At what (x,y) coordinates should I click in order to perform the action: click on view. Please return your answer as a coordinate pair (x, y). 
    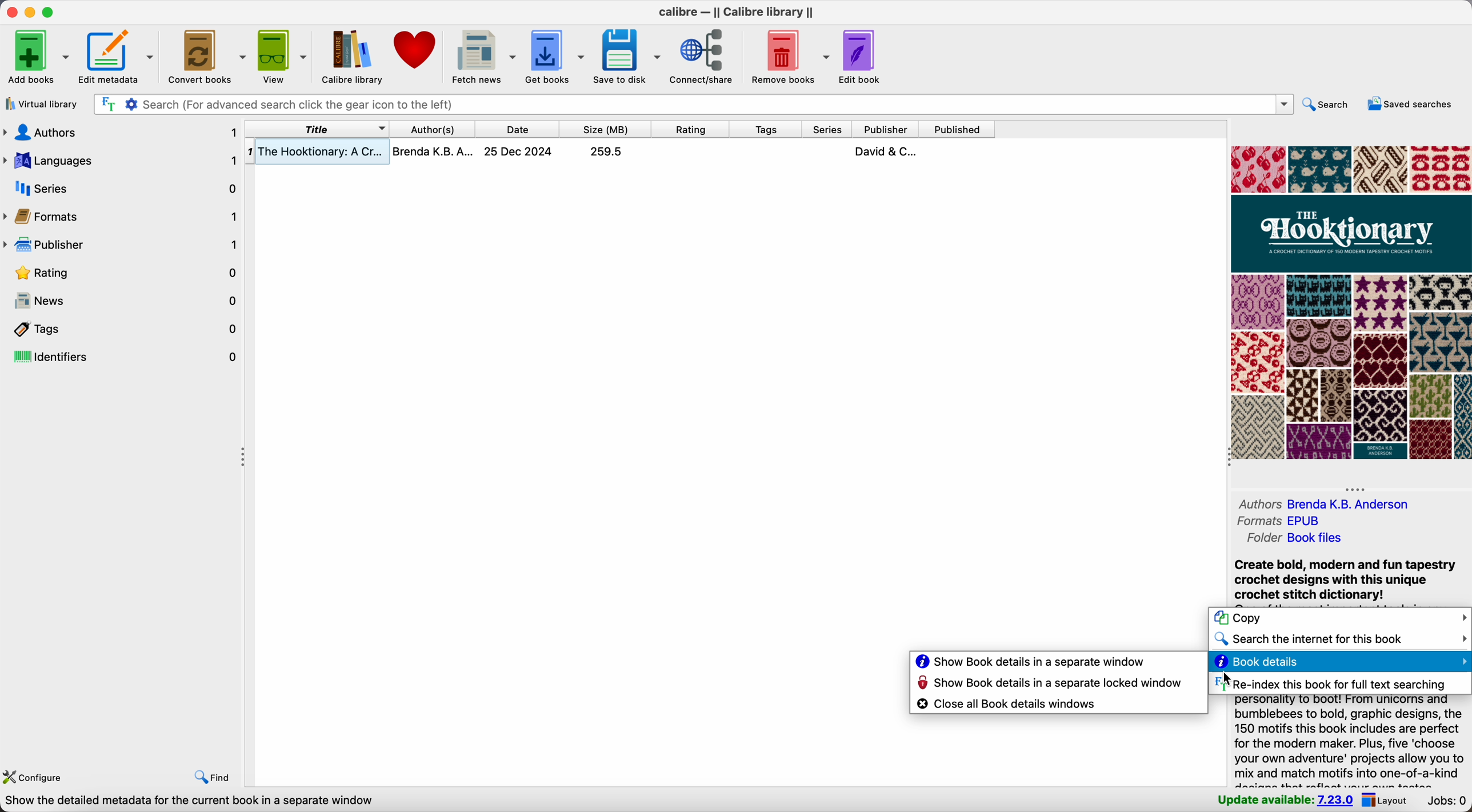
    Looking at the image, I should click on (282, 55).